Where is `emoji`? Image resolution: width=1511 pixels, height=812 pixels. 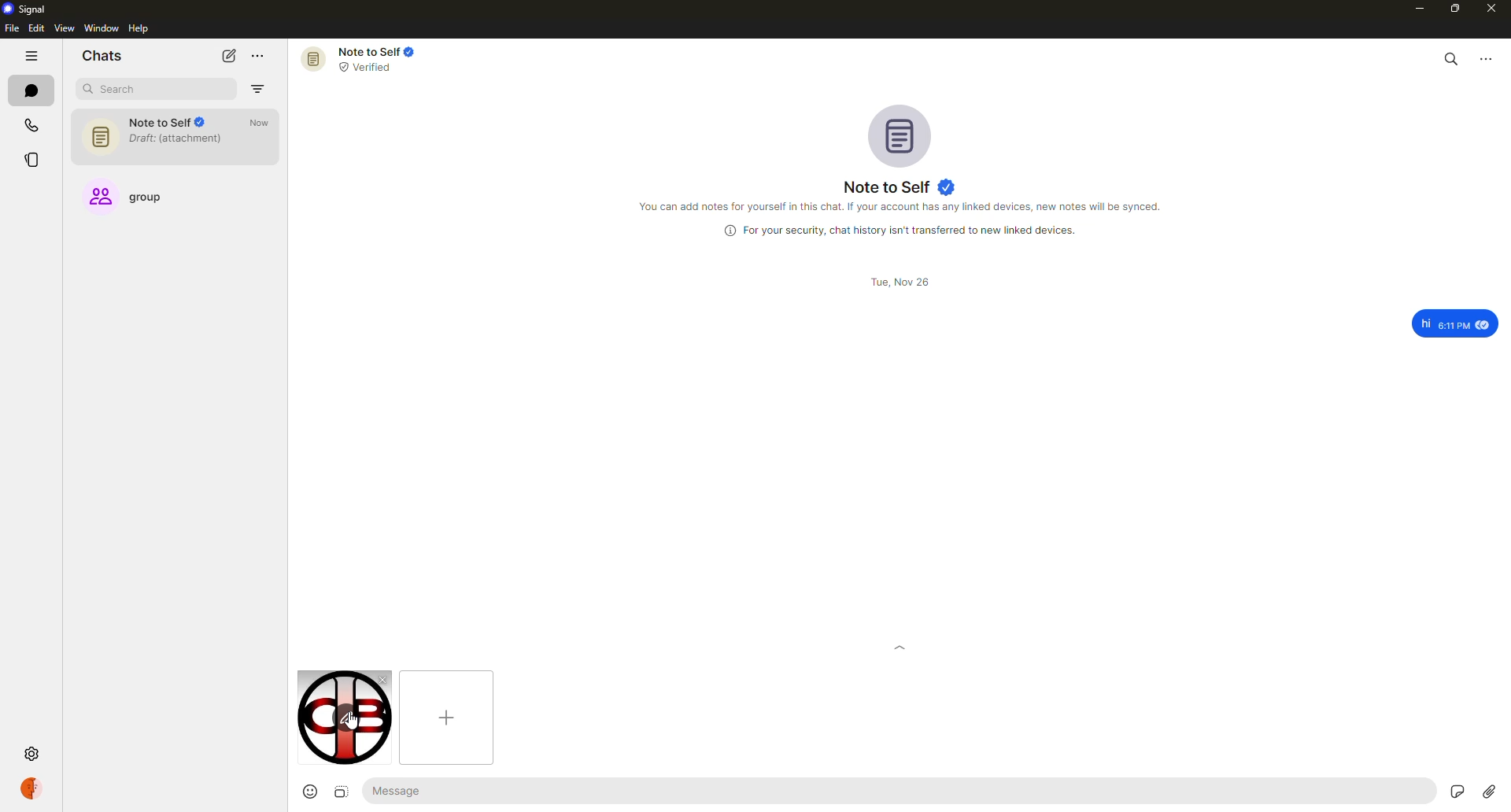 emoji is located at coordinates (307, 788).